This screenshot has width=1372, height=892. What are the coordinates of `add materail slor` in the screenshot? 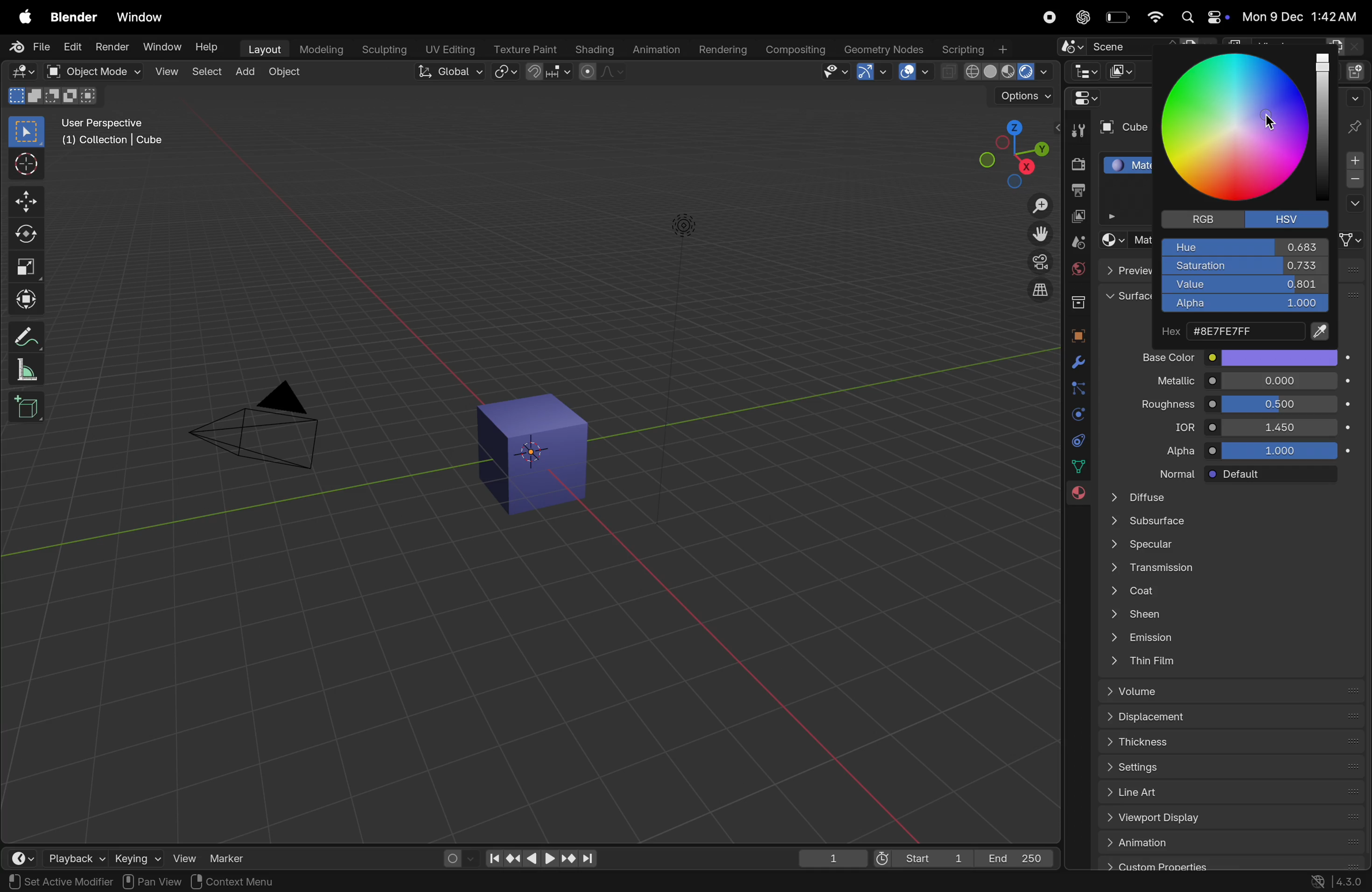 It's located at (1355, 161).